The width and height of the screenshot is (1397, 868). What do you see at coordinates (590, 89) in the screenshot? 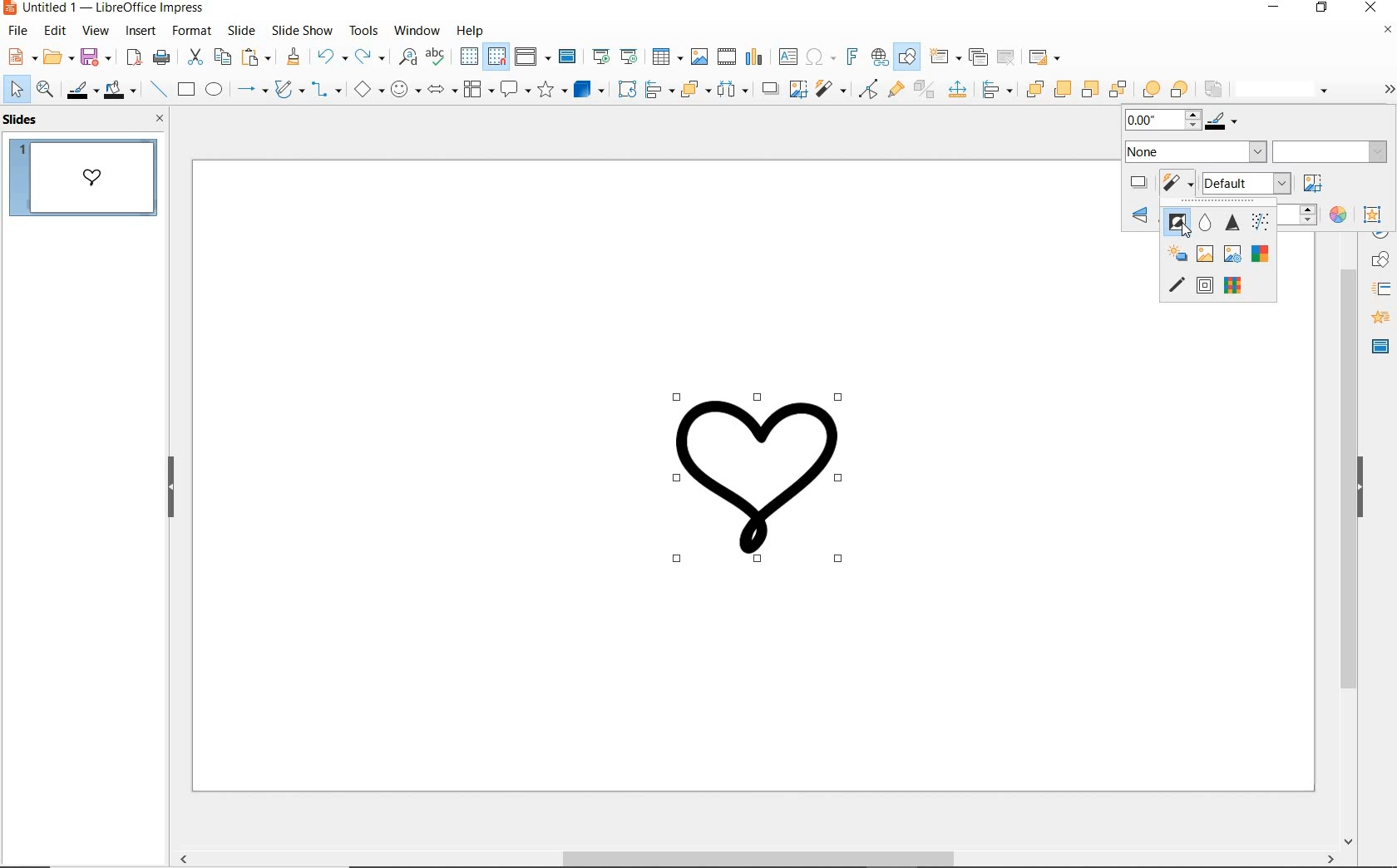
I see `3D Objects` at bounding box center [590, 89].